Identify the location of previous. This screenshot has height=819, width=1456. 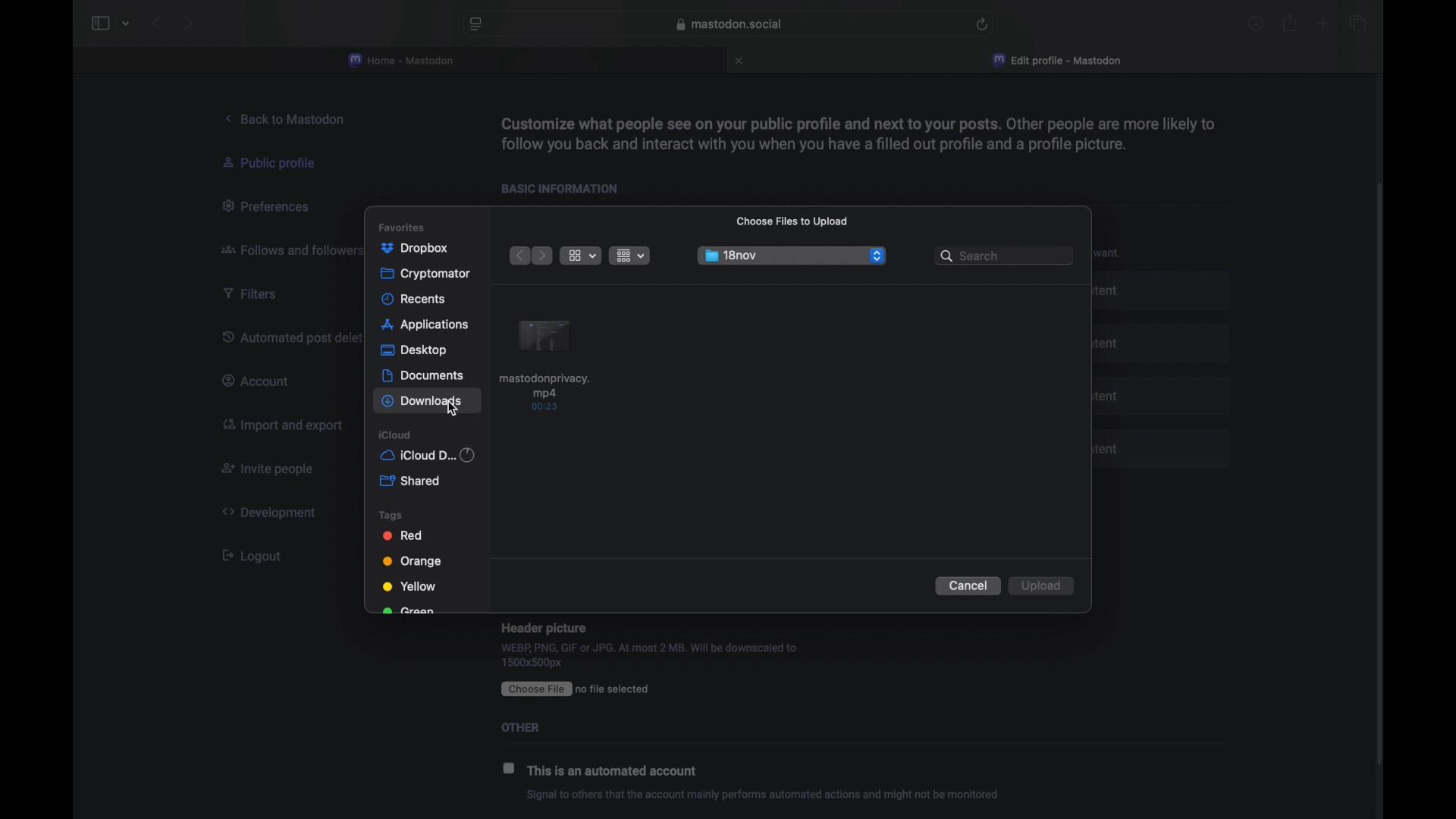
(518, 256).